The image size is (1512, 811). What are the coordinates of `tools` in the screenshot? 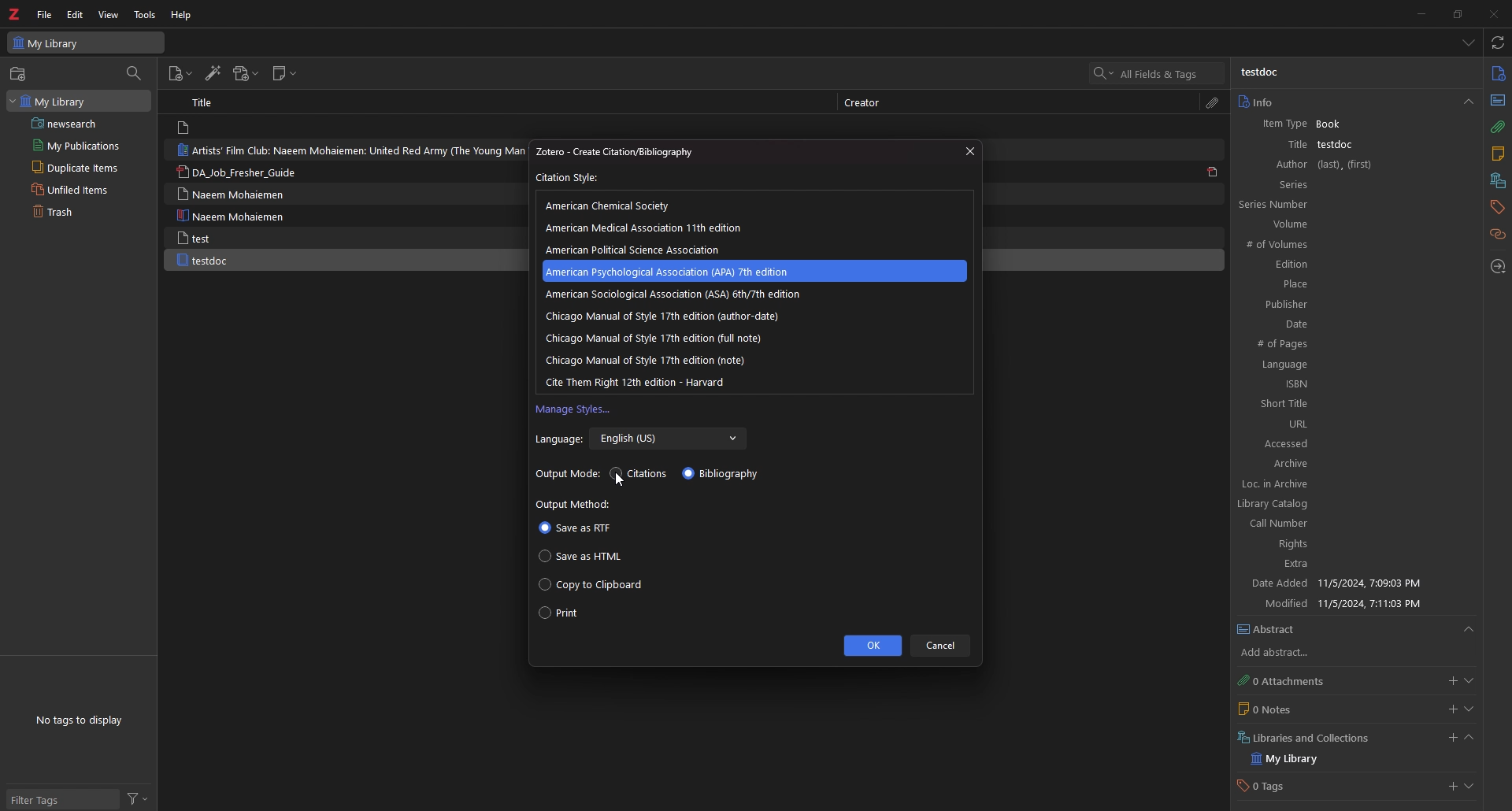 It's located at (146, 15).